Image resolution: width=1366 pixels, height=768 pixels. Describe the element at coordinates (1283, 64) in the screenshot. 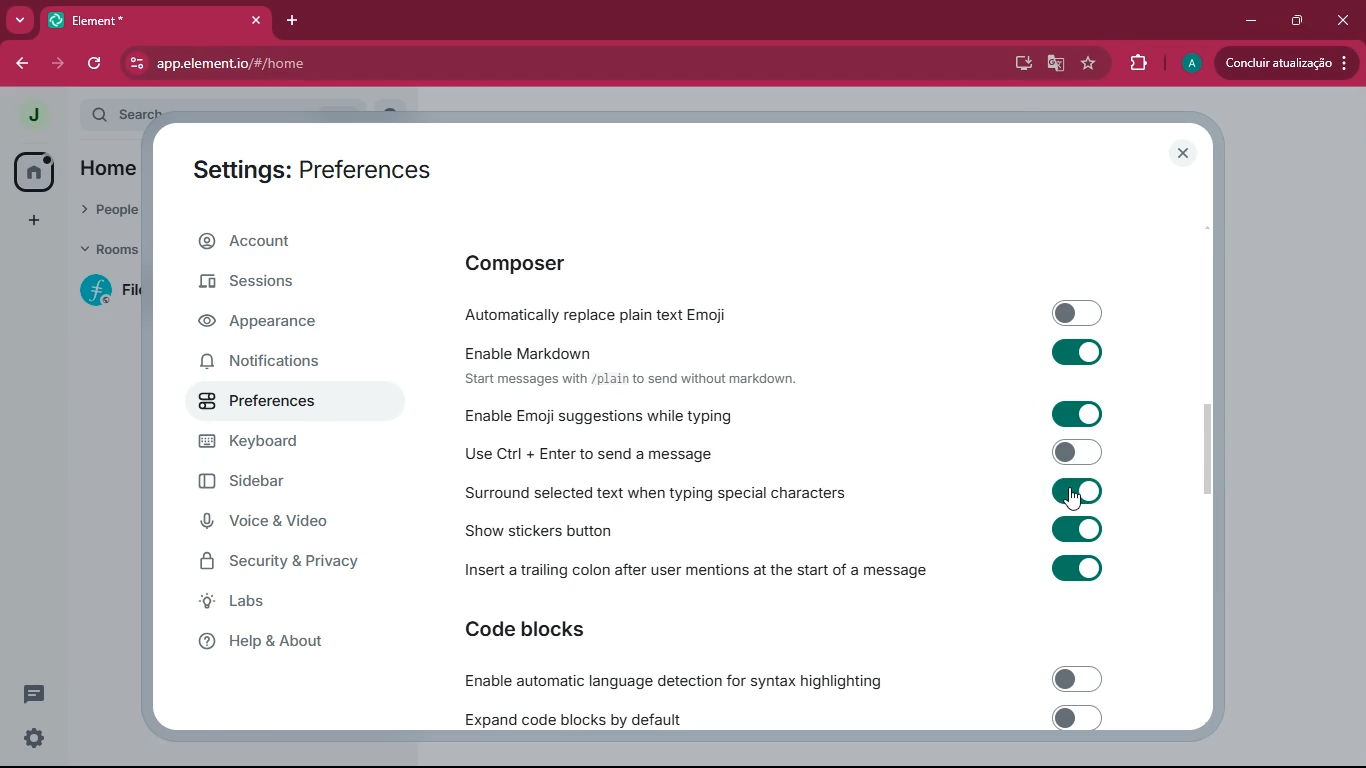

I see `conduir atualizacao` at that location.